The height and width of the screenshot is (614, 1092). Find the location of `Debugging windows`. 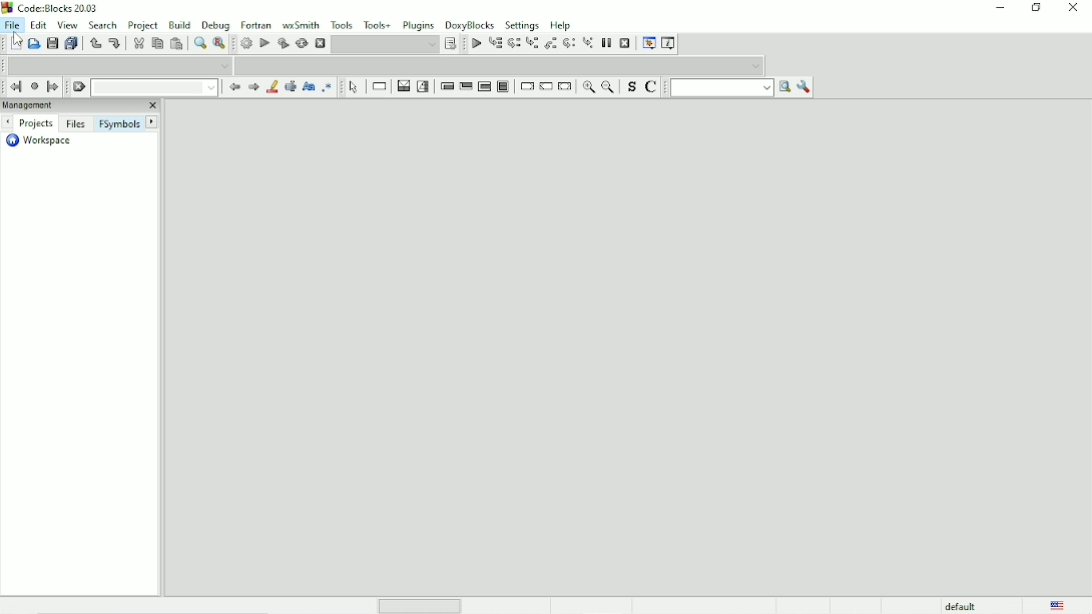

Debugging windows is located at coordinates (648, 43).